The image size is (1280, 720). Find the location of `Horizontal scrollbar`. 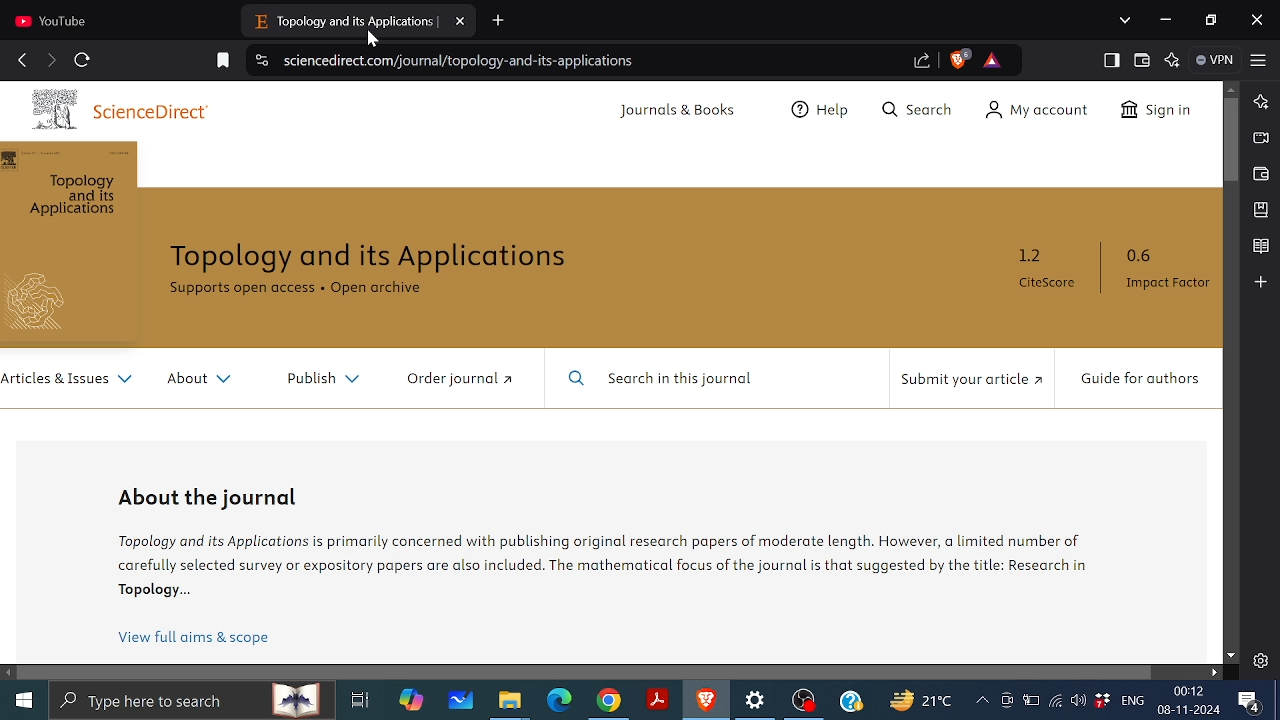

Horizontal scrollbar is located at coordinates (586, 671).